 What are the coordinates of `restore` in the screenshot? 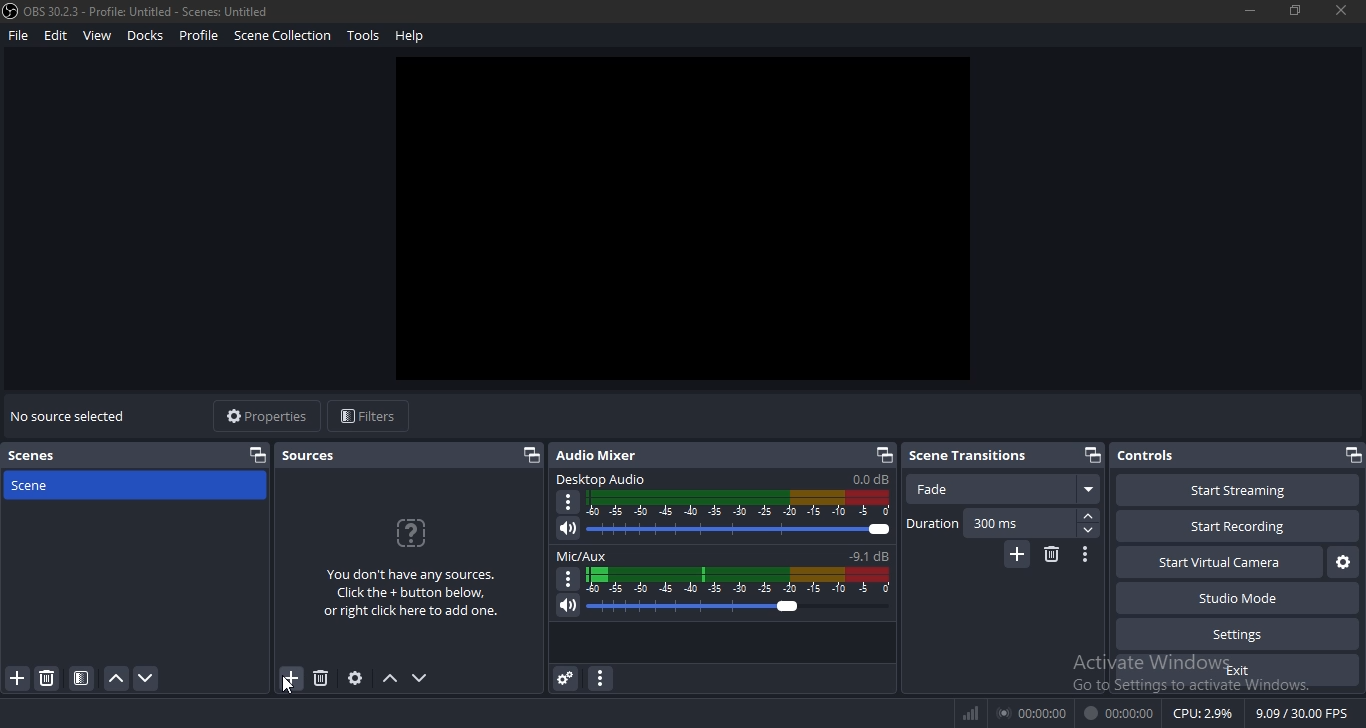 It's located at (1095, 456).